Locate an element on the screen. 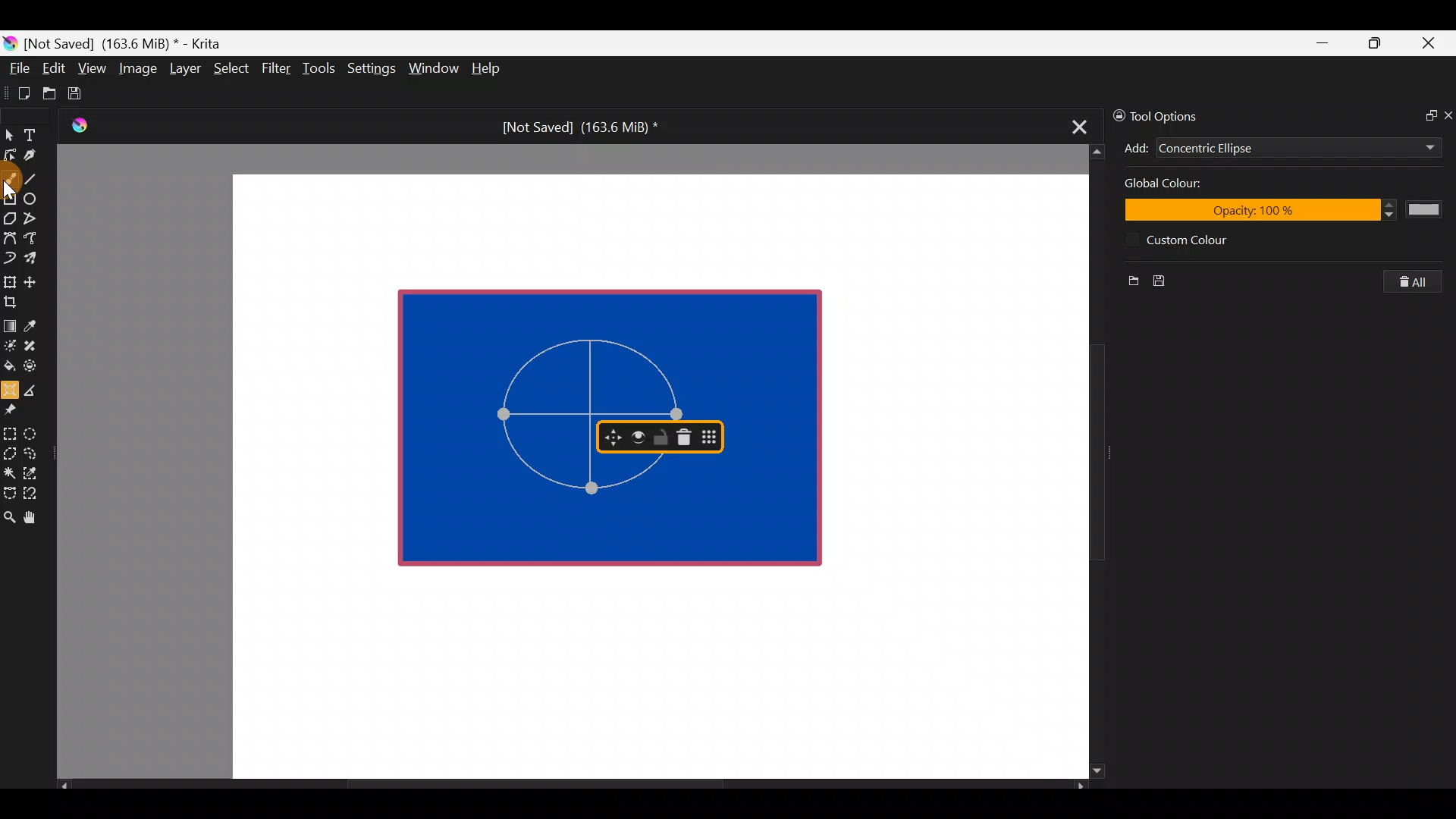  Polygon tool is located at coordinates (9, 219).